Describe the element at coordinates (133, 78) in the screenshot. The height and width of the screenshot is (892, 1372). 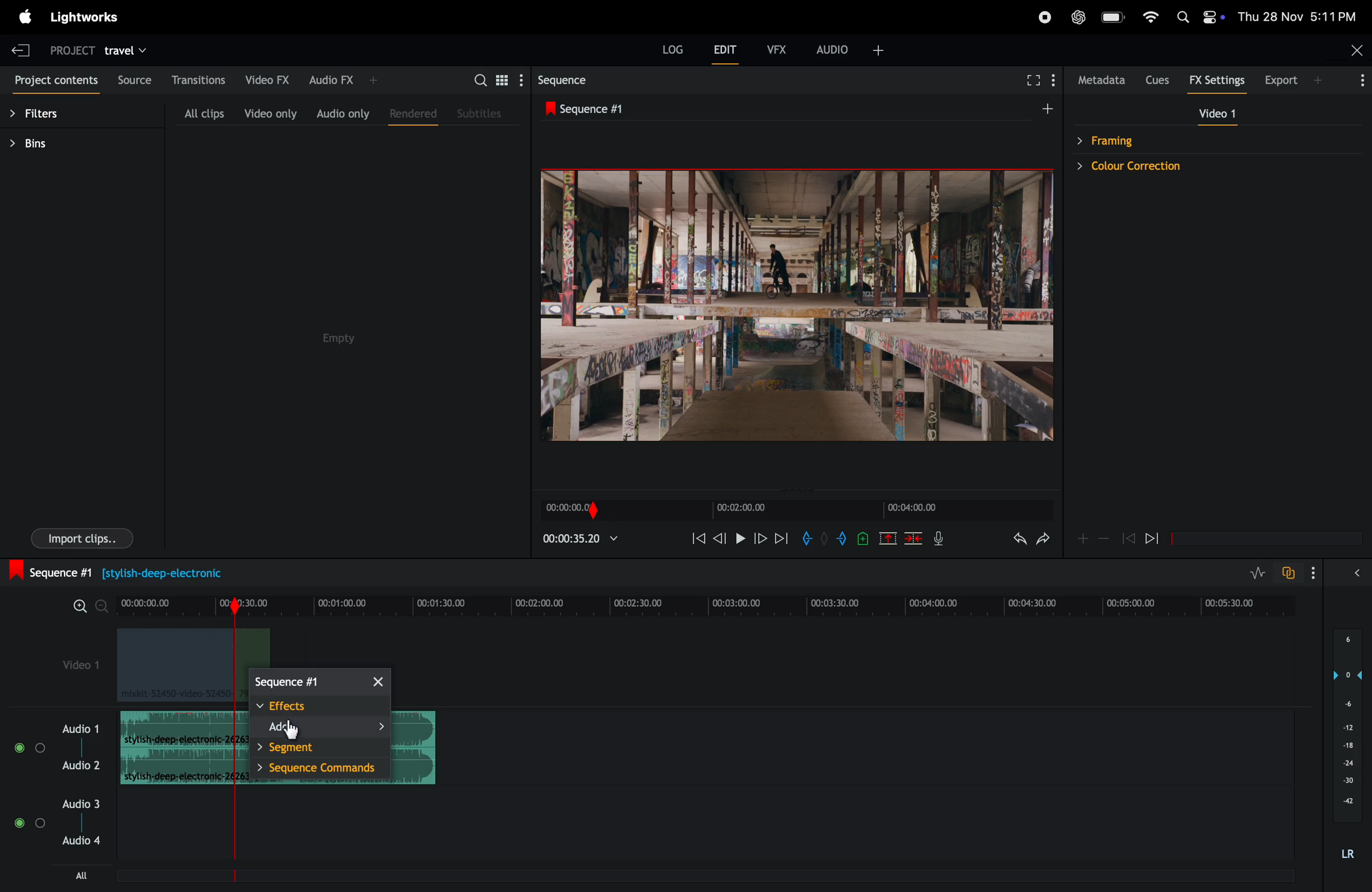
I see `source` at that location.